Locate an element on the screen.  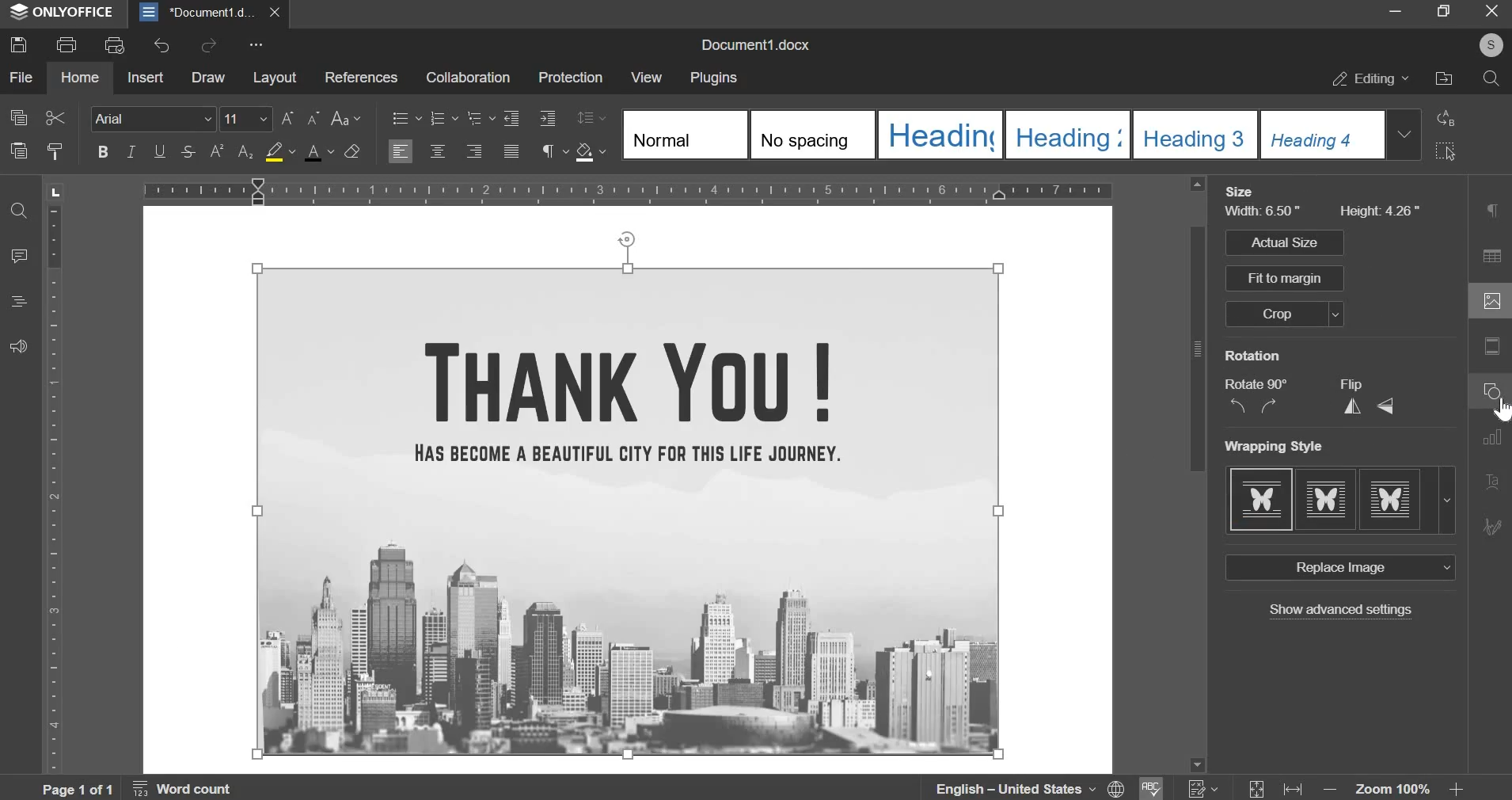
align center is located at coordinates (438, 150).